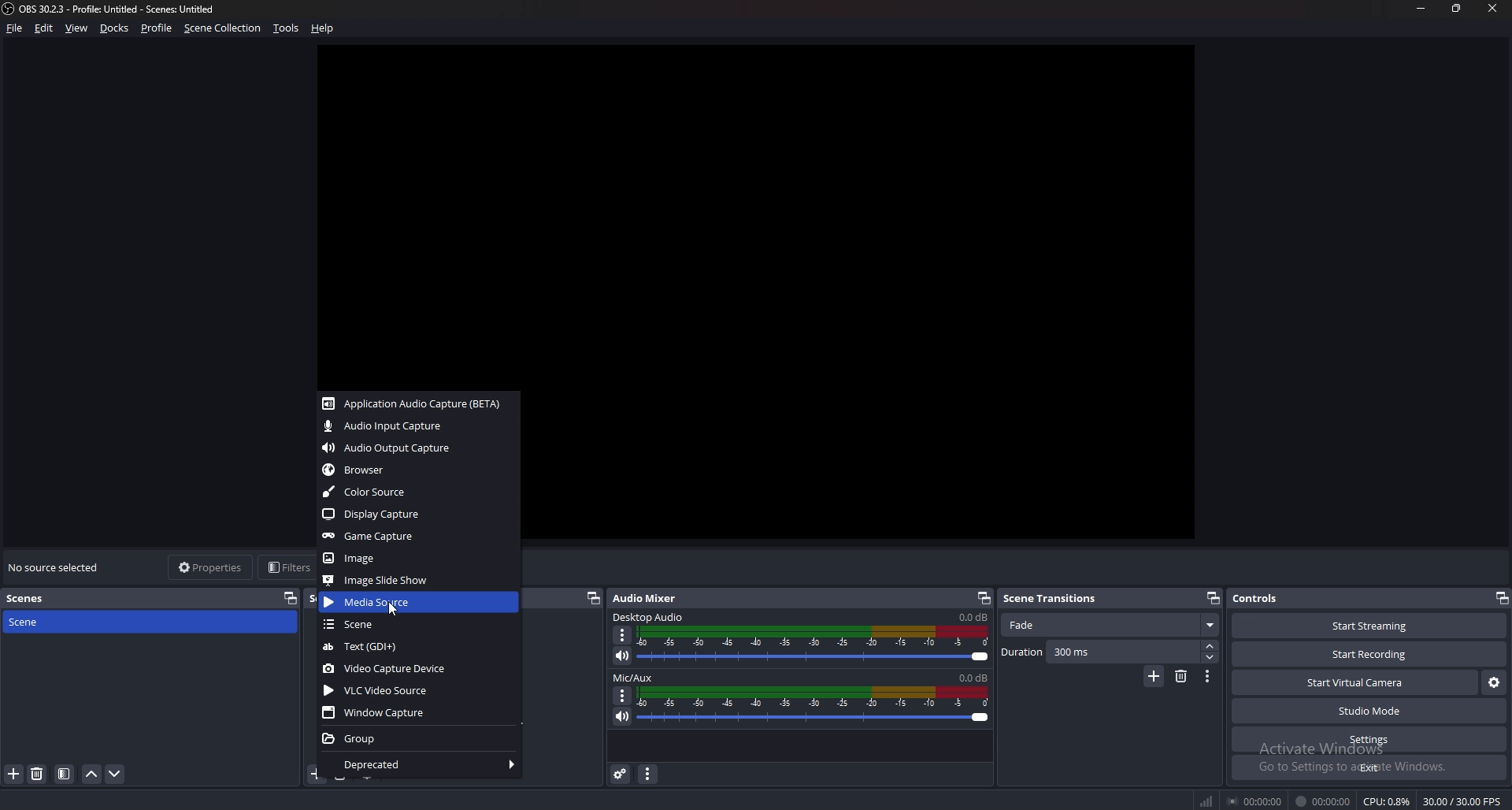 The image size is (1512, 810). I want to click on Scene collection, so click(223, 28).